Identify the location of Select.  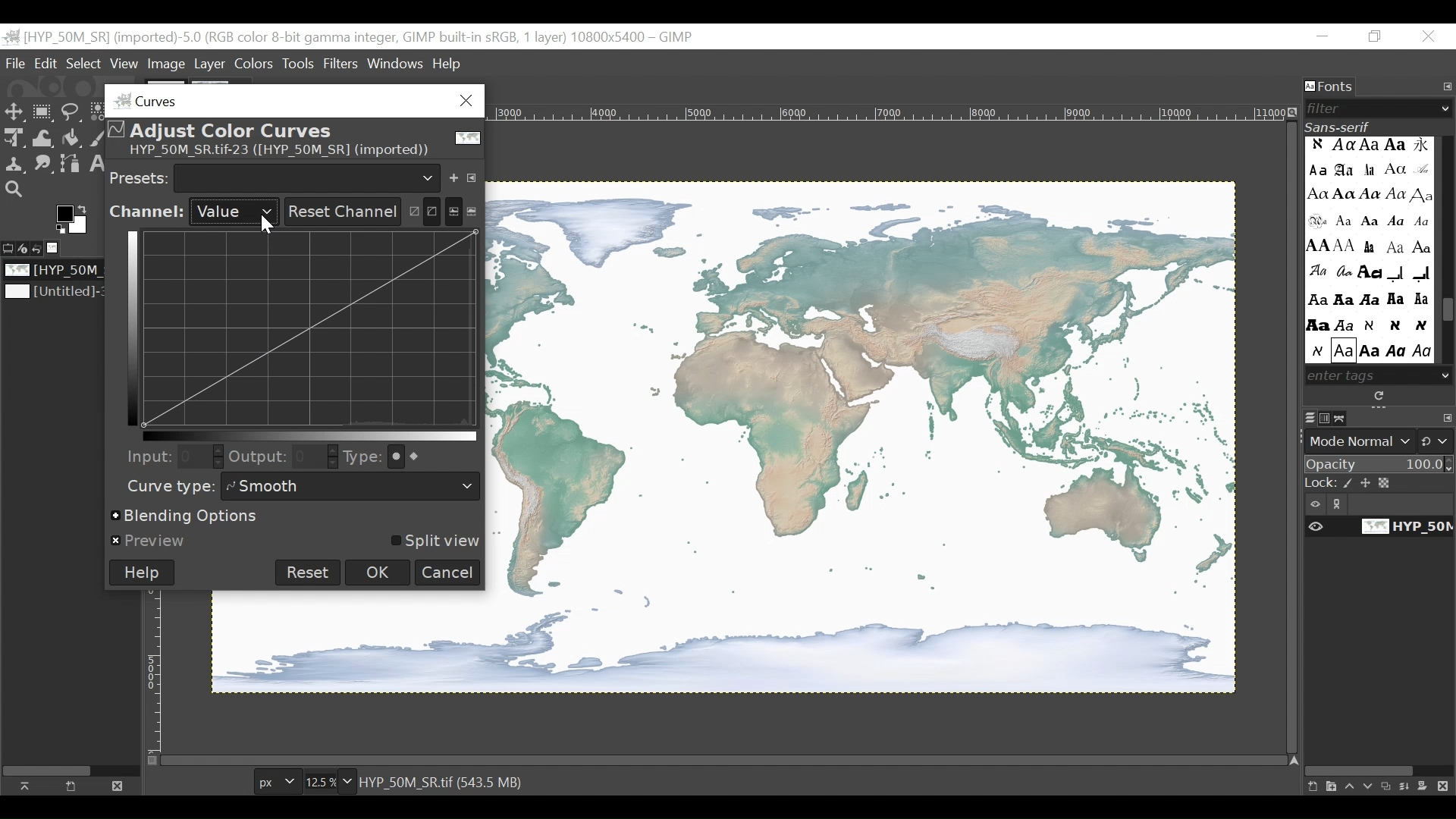
(83, 64).